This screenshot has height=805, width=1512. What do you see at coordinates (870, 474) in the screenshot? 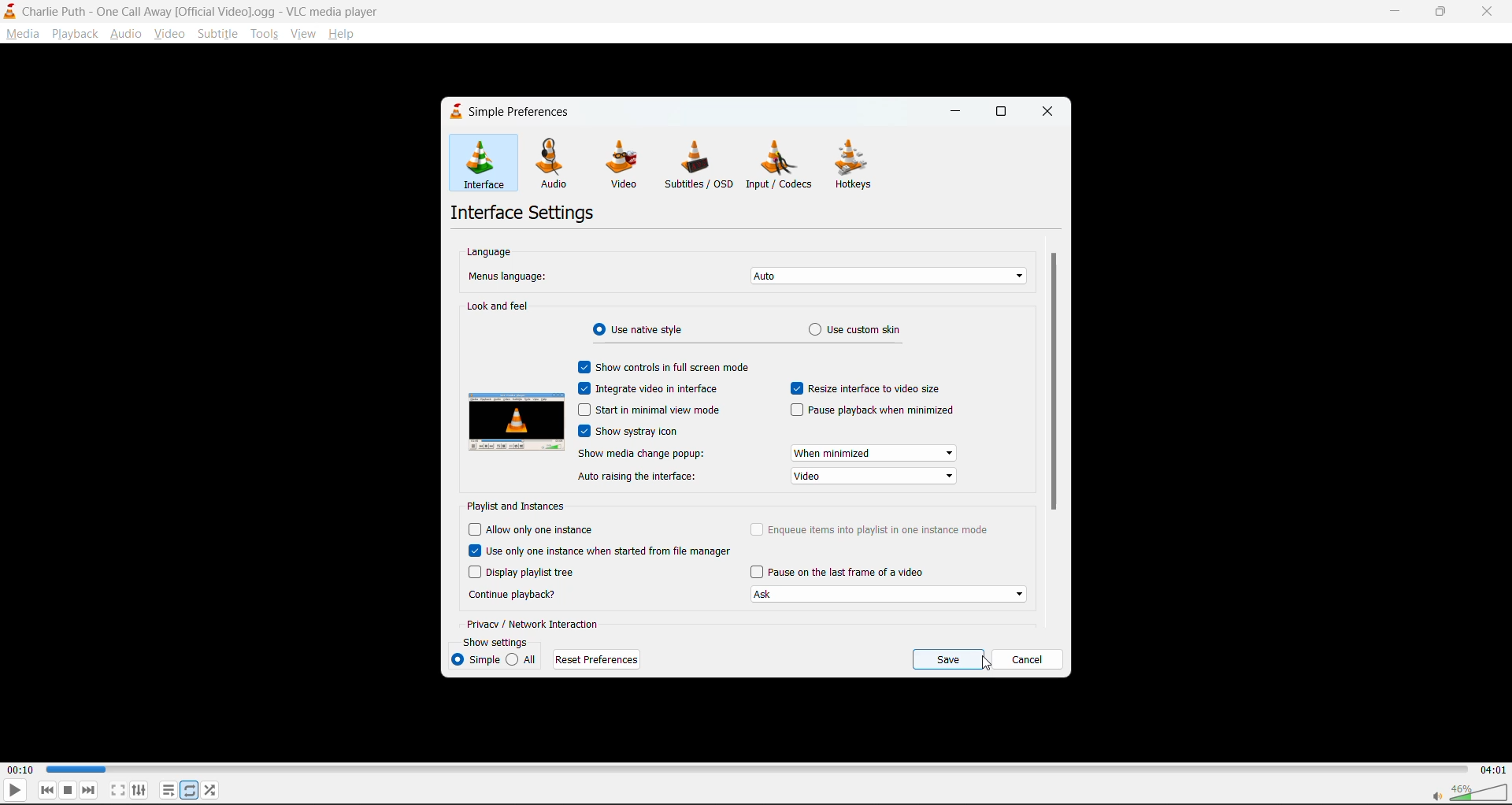
I see `video` at bounding box center [870, 474].